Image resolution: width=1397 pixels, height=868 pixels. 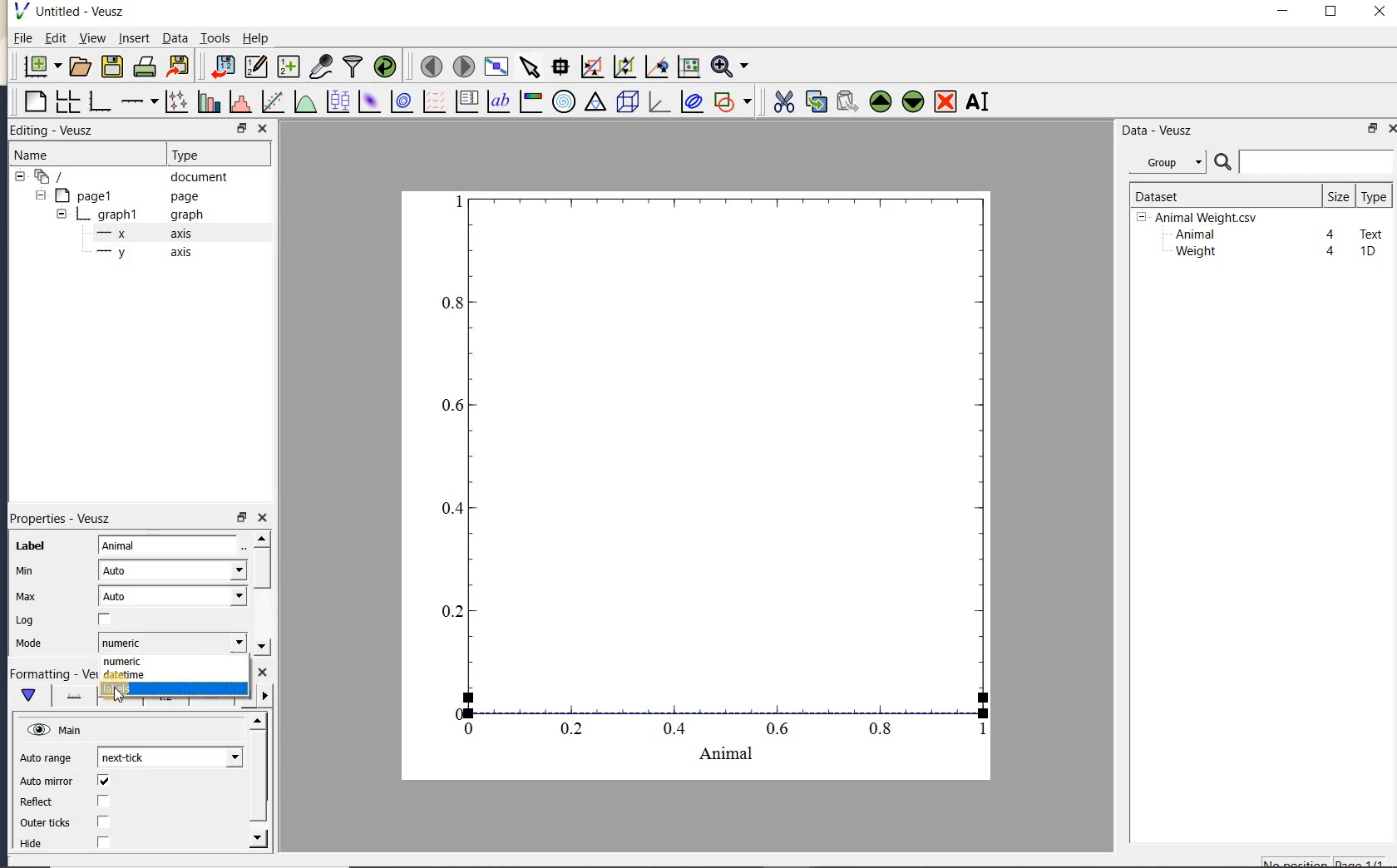 What do you see at coordinates (428, 65) in the screenshot?
I see `move to the previous page` at bounding box center [428, 65].